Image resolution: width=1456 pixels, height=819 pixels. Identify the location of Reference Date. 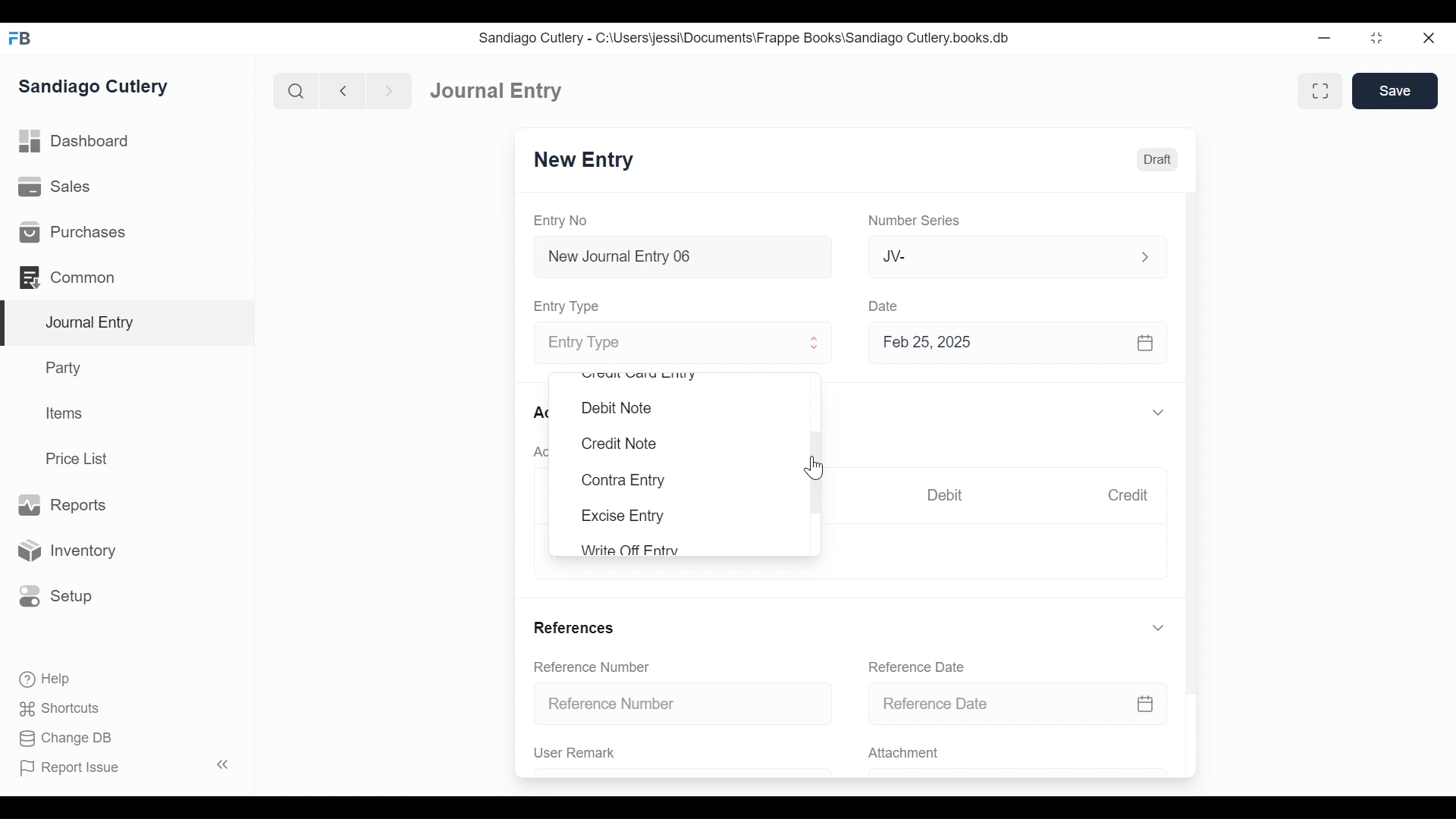
(1017, 702).